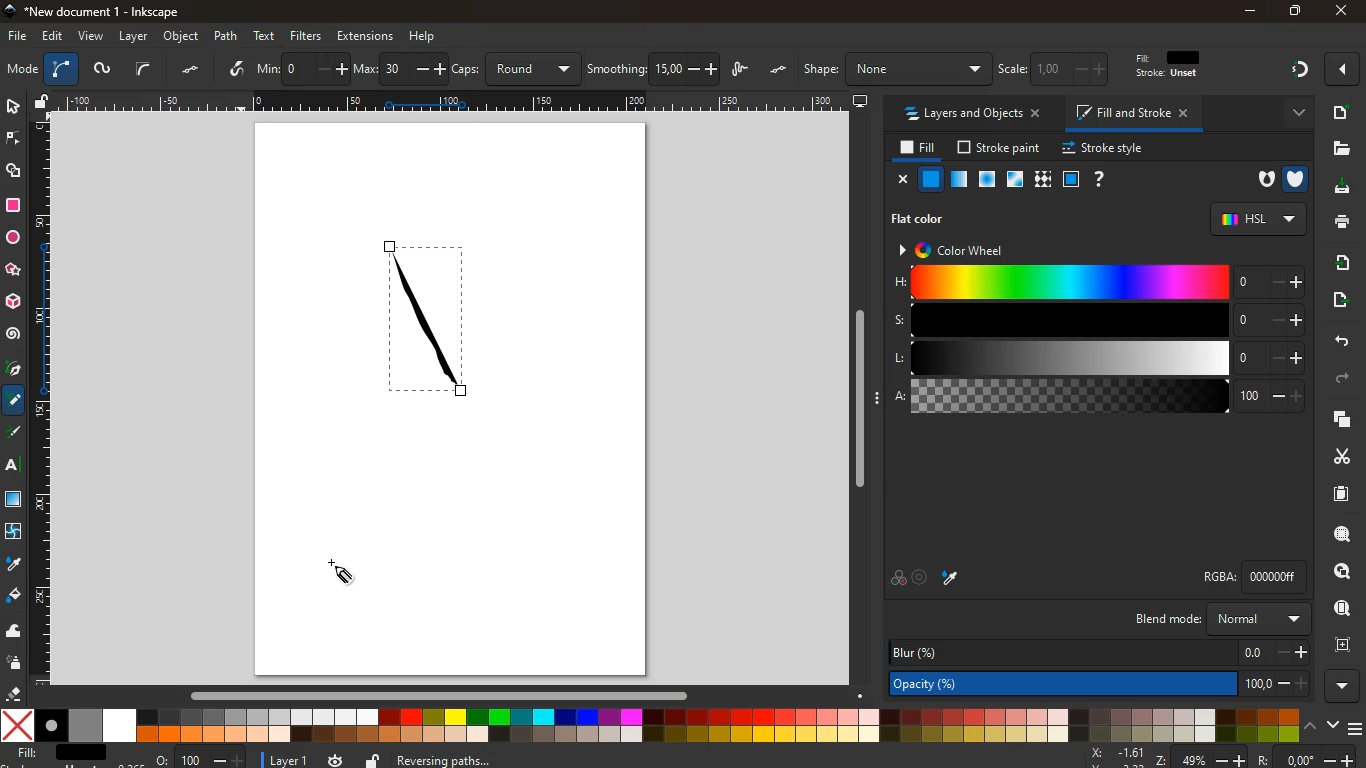  I want to click on caps, so click(520, 69).